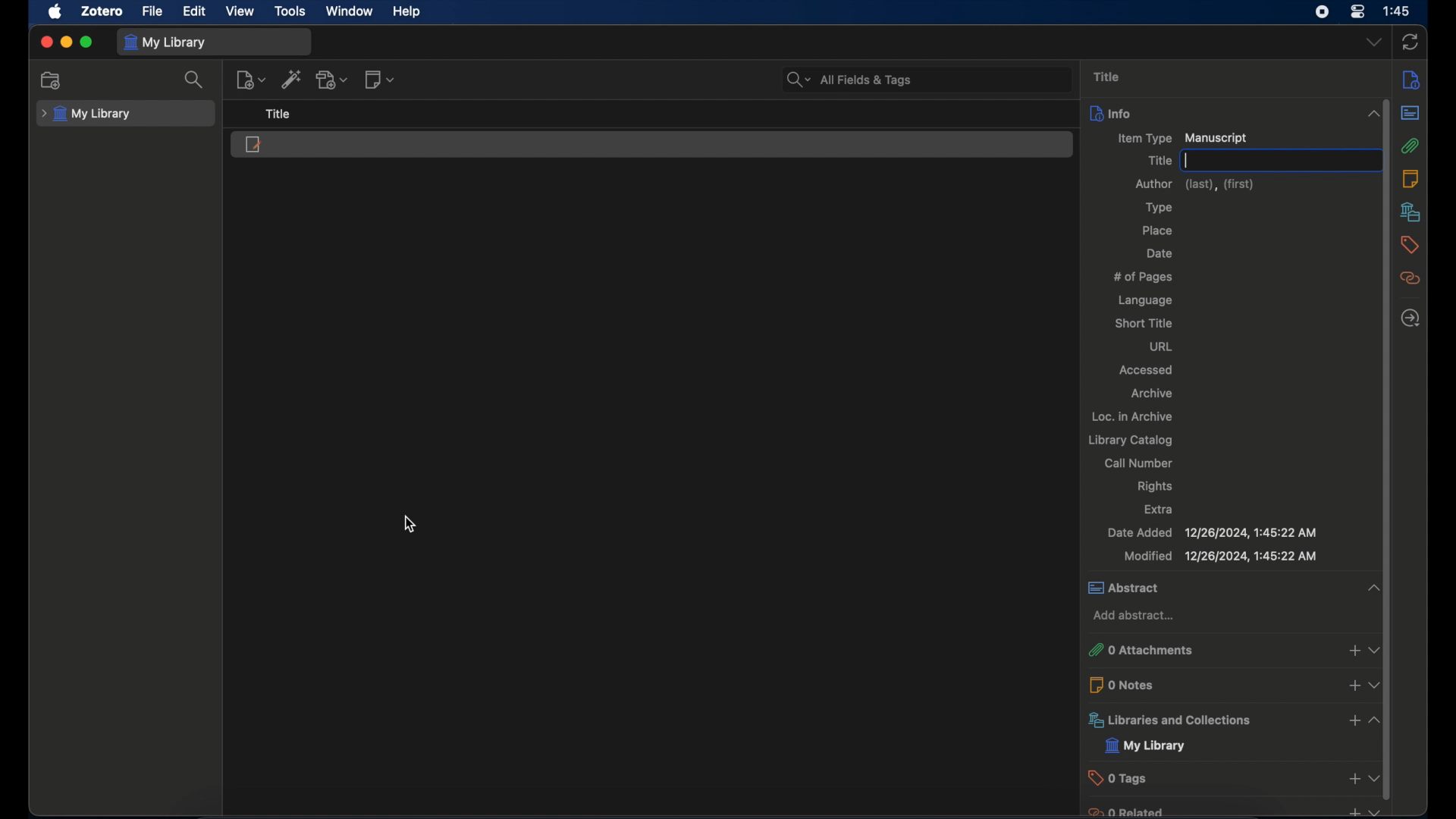 The width and height of the screenshot is (1456, 819). What do you see at coordinates (1357, 11) in the screenshot?
I see `control center` at bounding box center [1357, 11].